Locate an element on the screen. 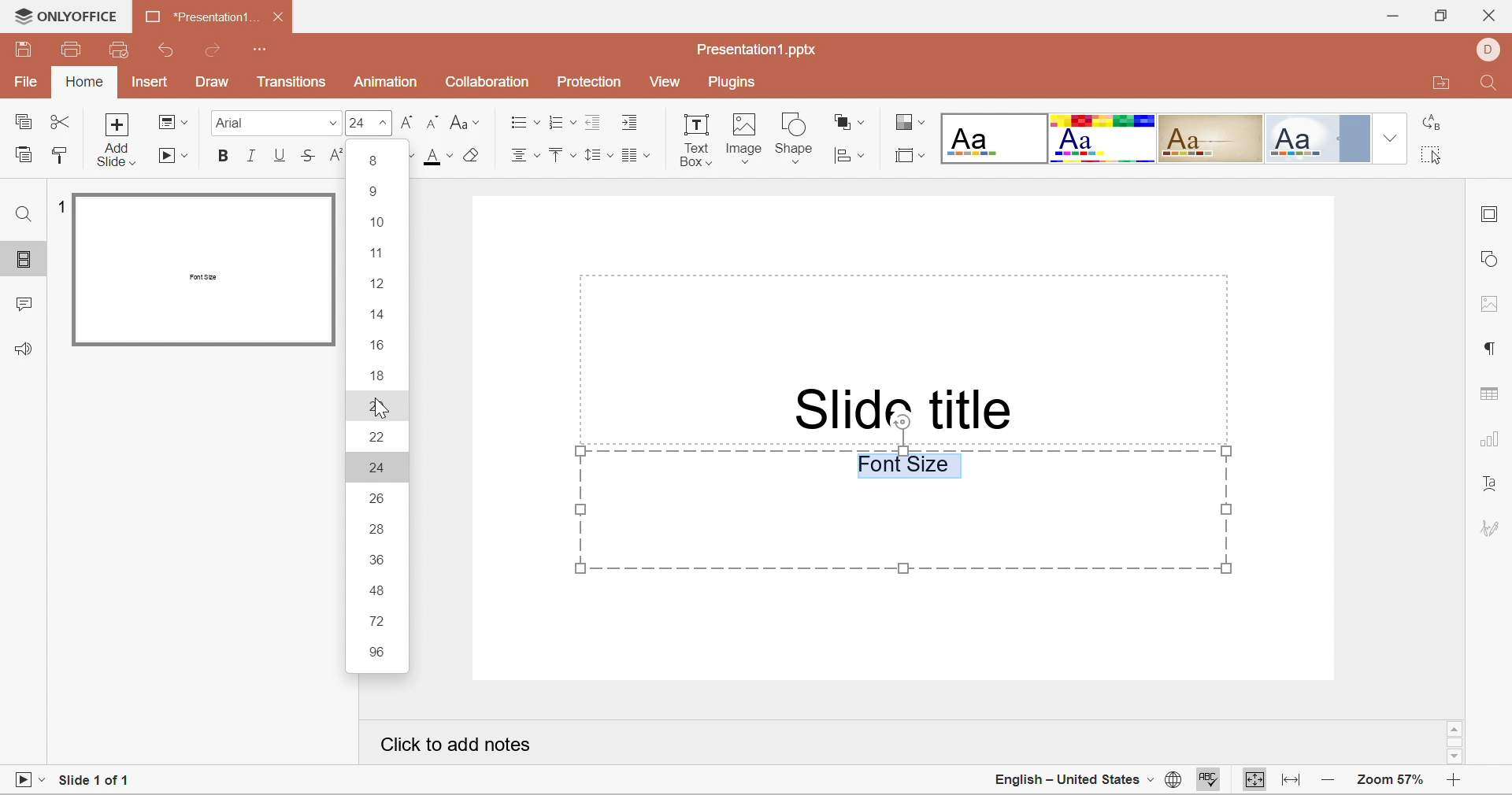  Numbering is located at coordinates (560, 122).